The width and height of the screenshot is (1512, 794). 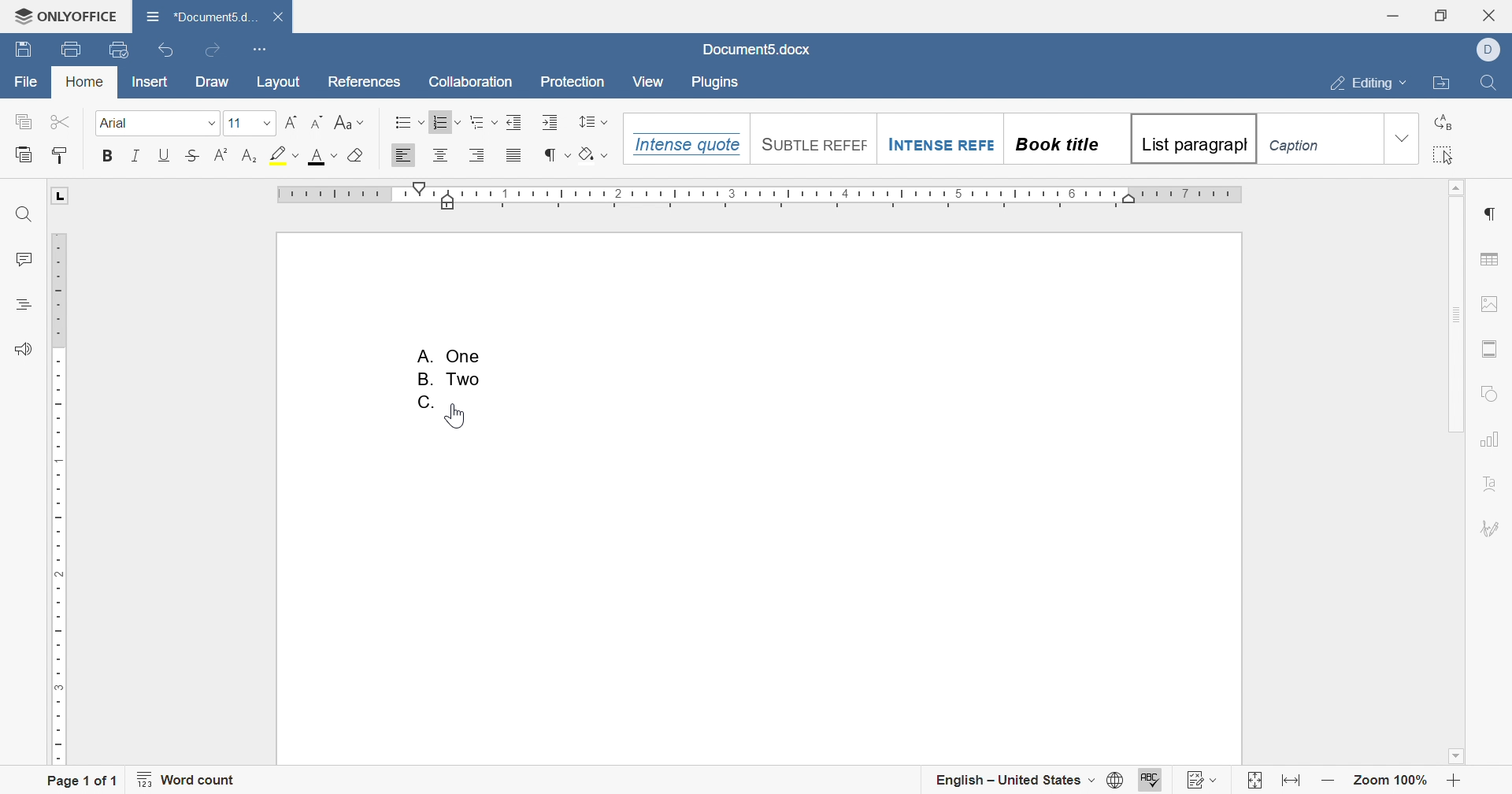 What do you see at coordinates (1191, 139) in the screenshot?
I see `List paragrapgh` at bounding box center [1191, 139].